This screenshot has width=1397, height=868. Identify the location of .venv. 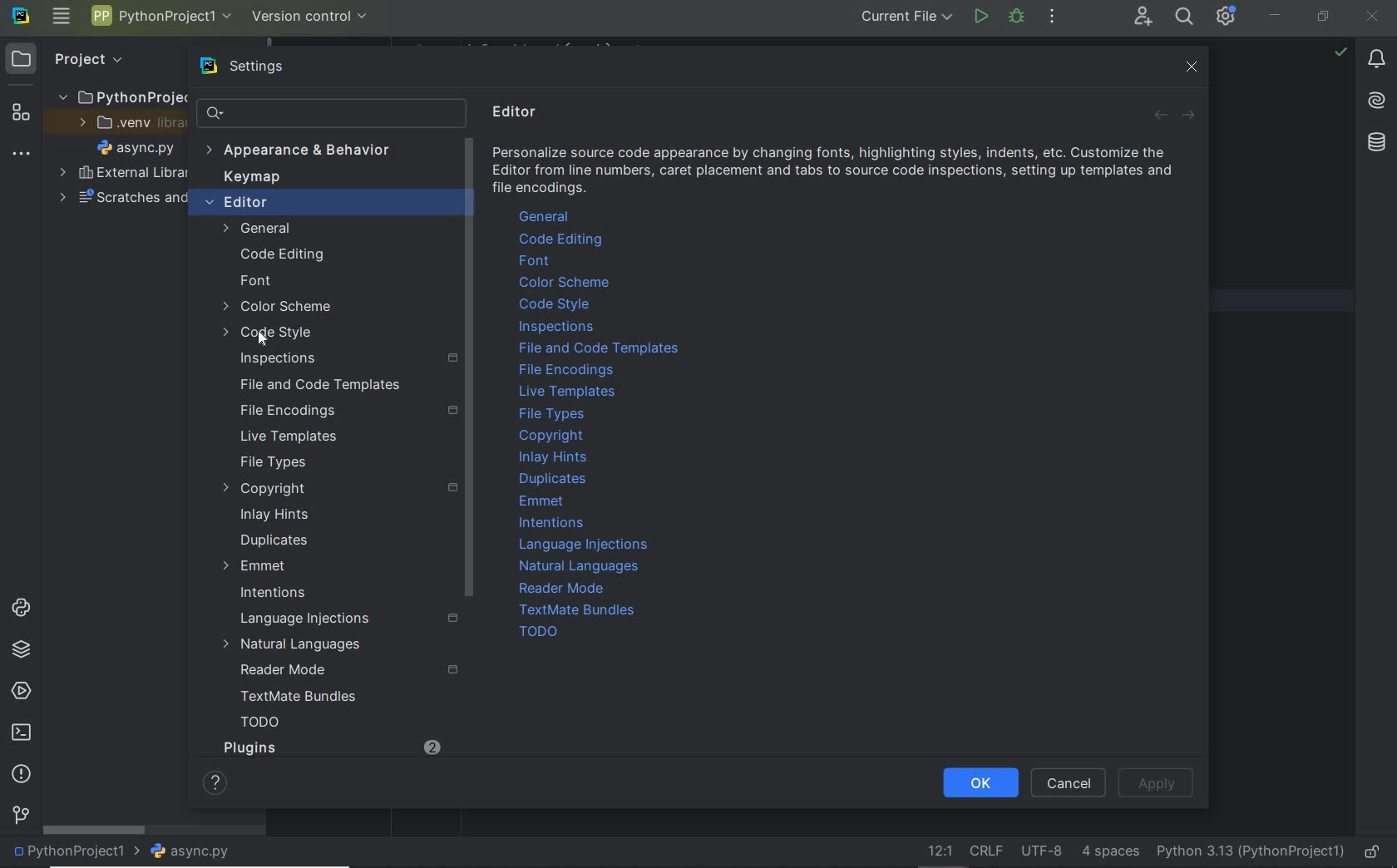
(126, 126).